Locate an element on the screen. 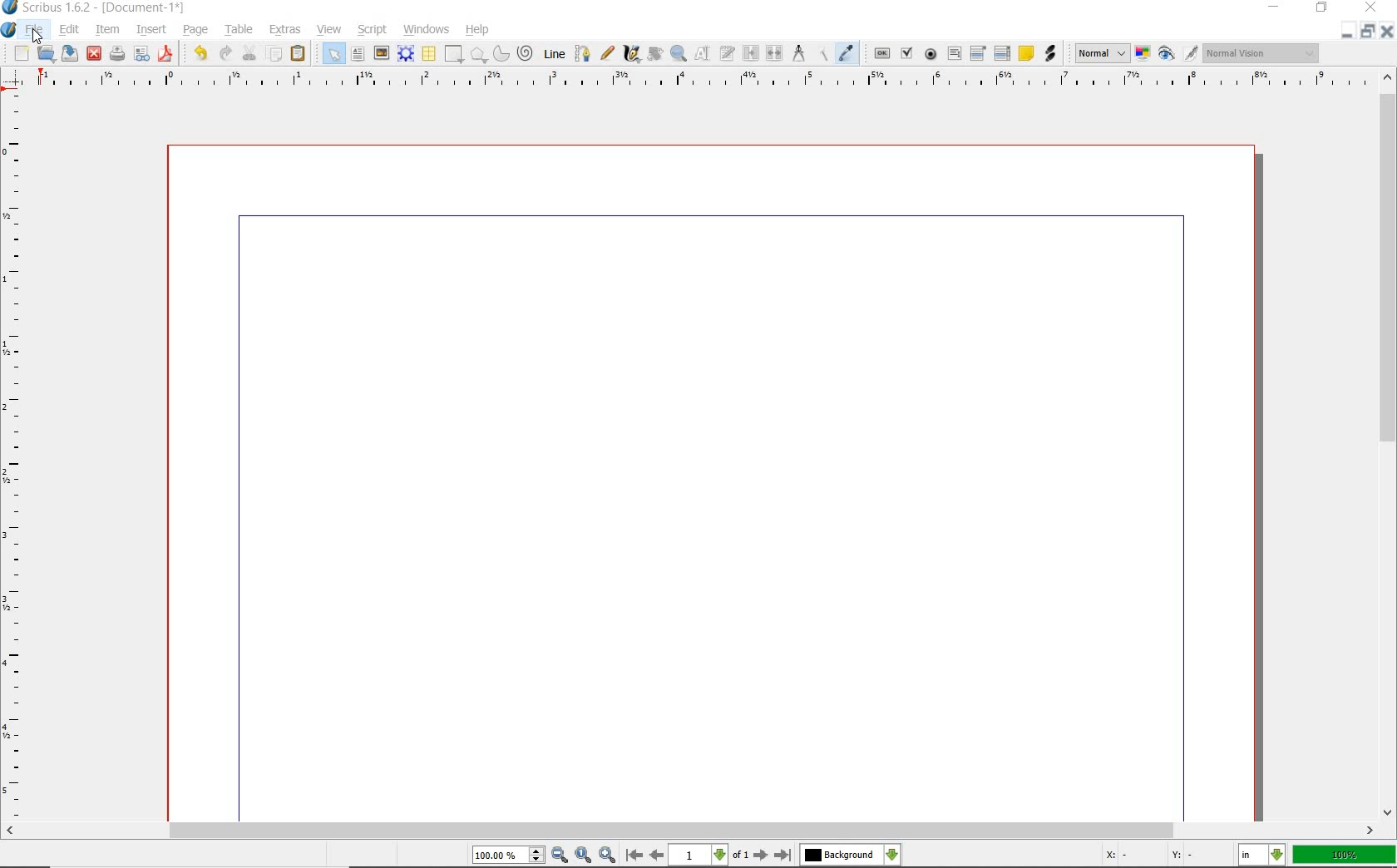 This screenshot has width=1397, height=868. pdf push button is located at coordinates (882, 54).